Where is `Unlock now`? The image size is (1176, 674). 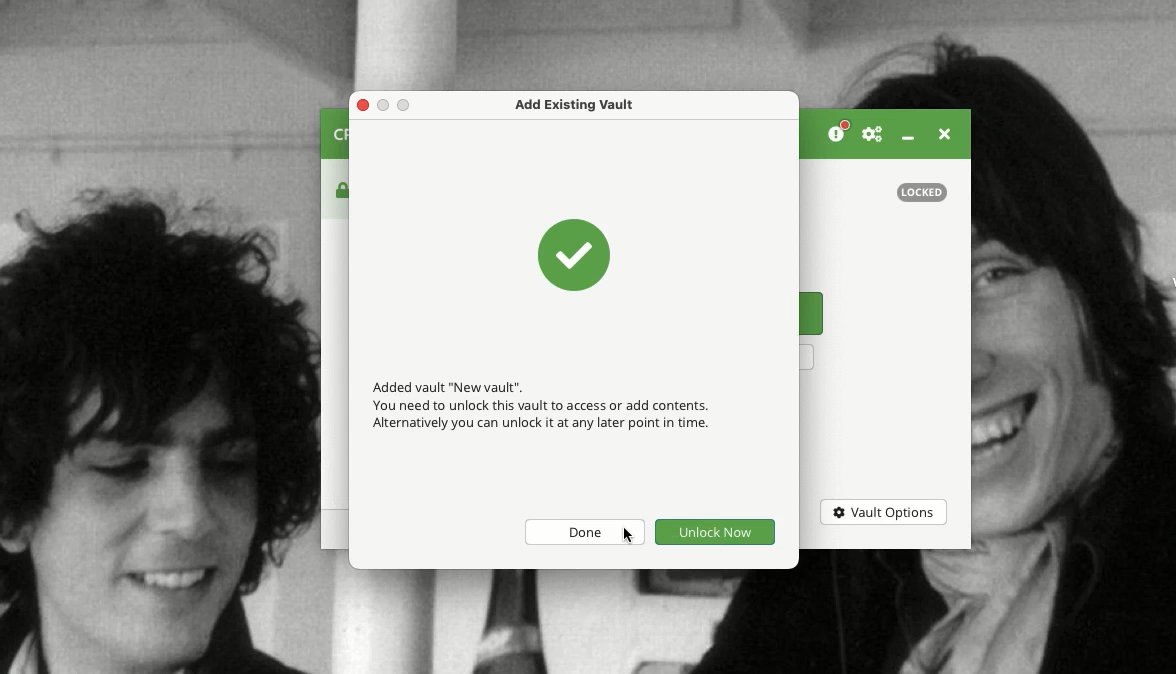 Unlock now is located at coordinates (717, 531).